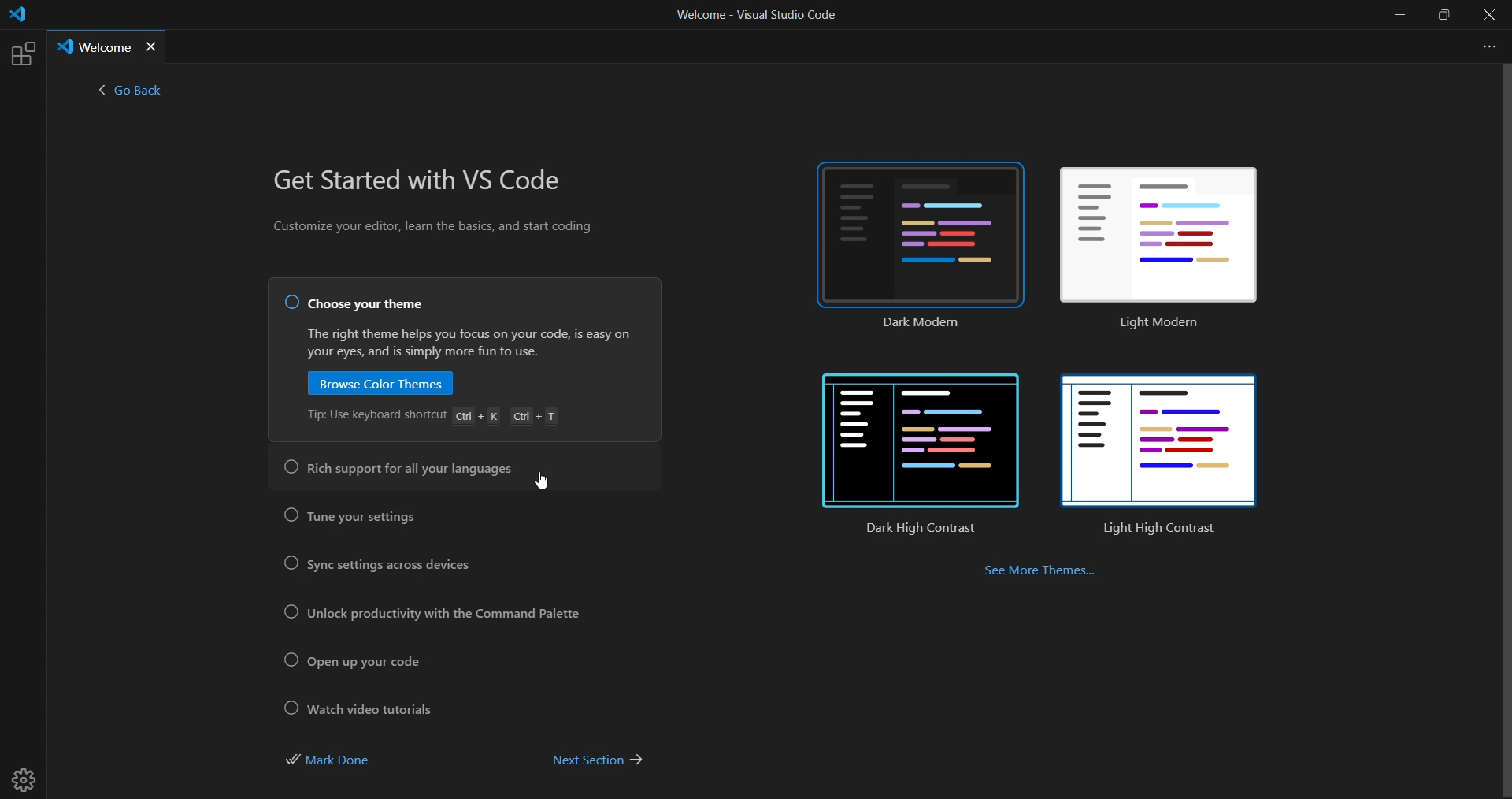 This screenshot has width=1512, height=799. I want to click on browse color theme, so click(381, 384).